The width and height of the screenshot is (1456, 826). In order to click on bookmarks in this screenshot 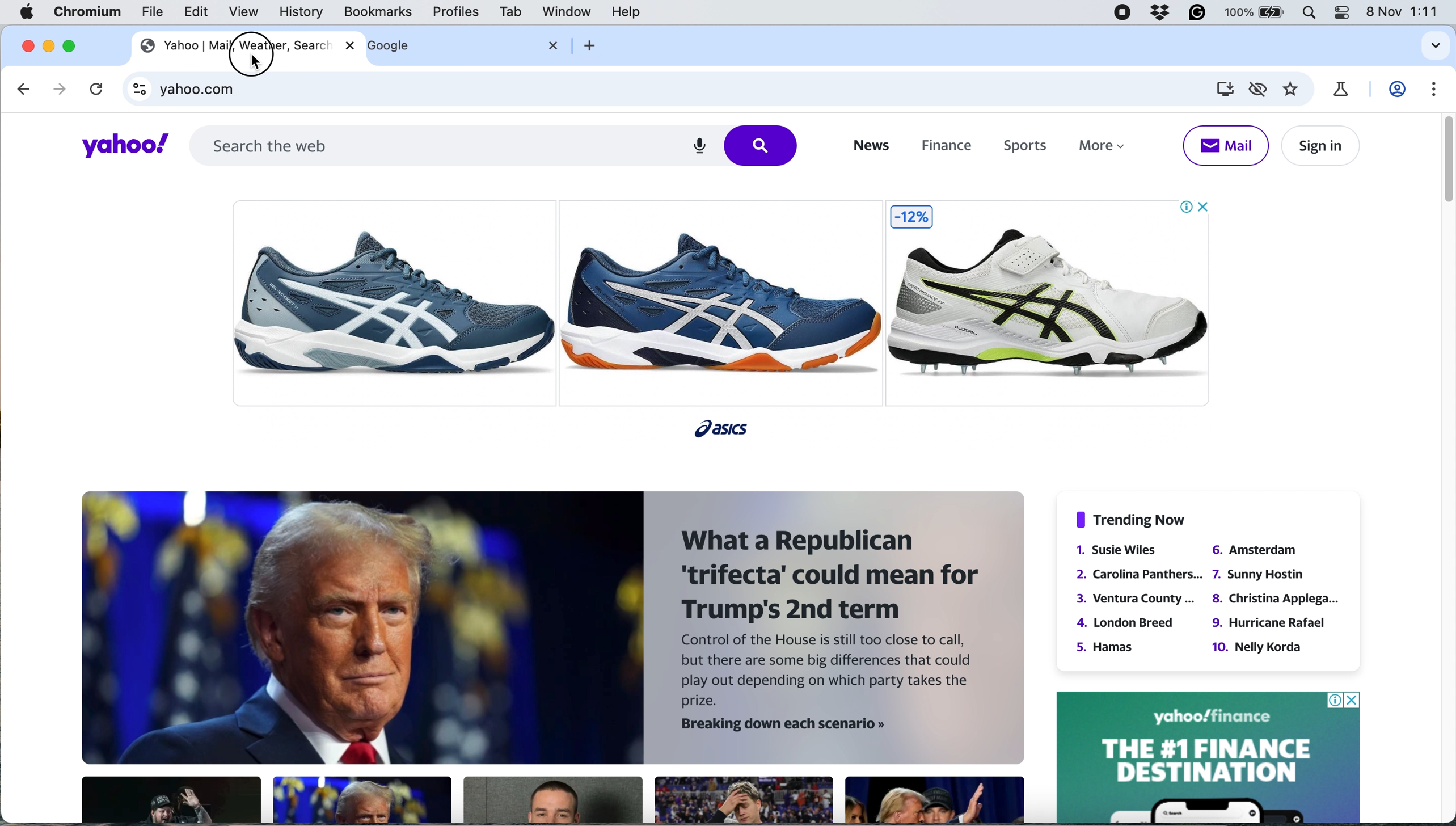, I will do `click(378, 12)`.